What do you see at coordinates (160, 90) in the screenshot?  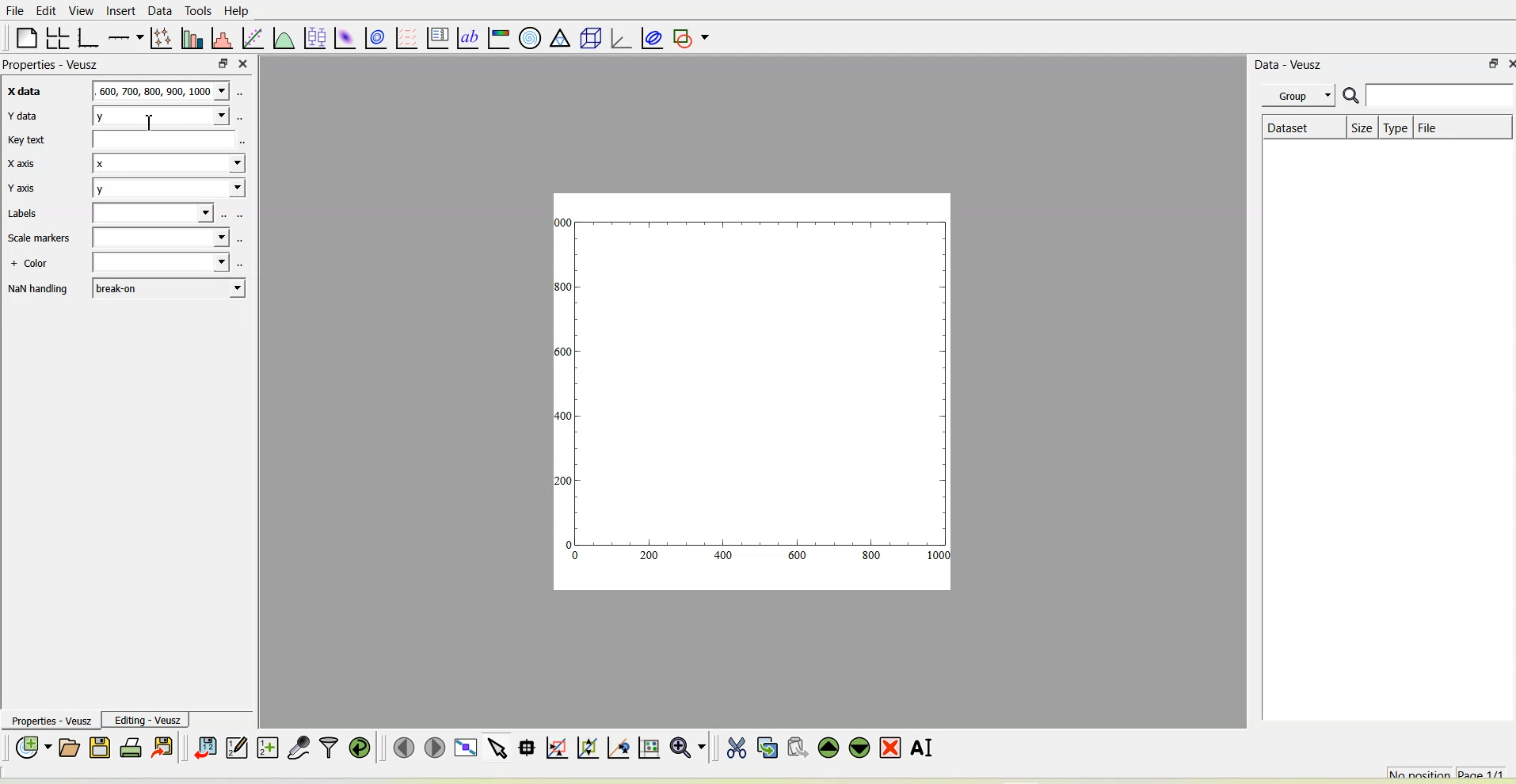 I see `600,700,800,900,1000` at bounding box center [160, 90].